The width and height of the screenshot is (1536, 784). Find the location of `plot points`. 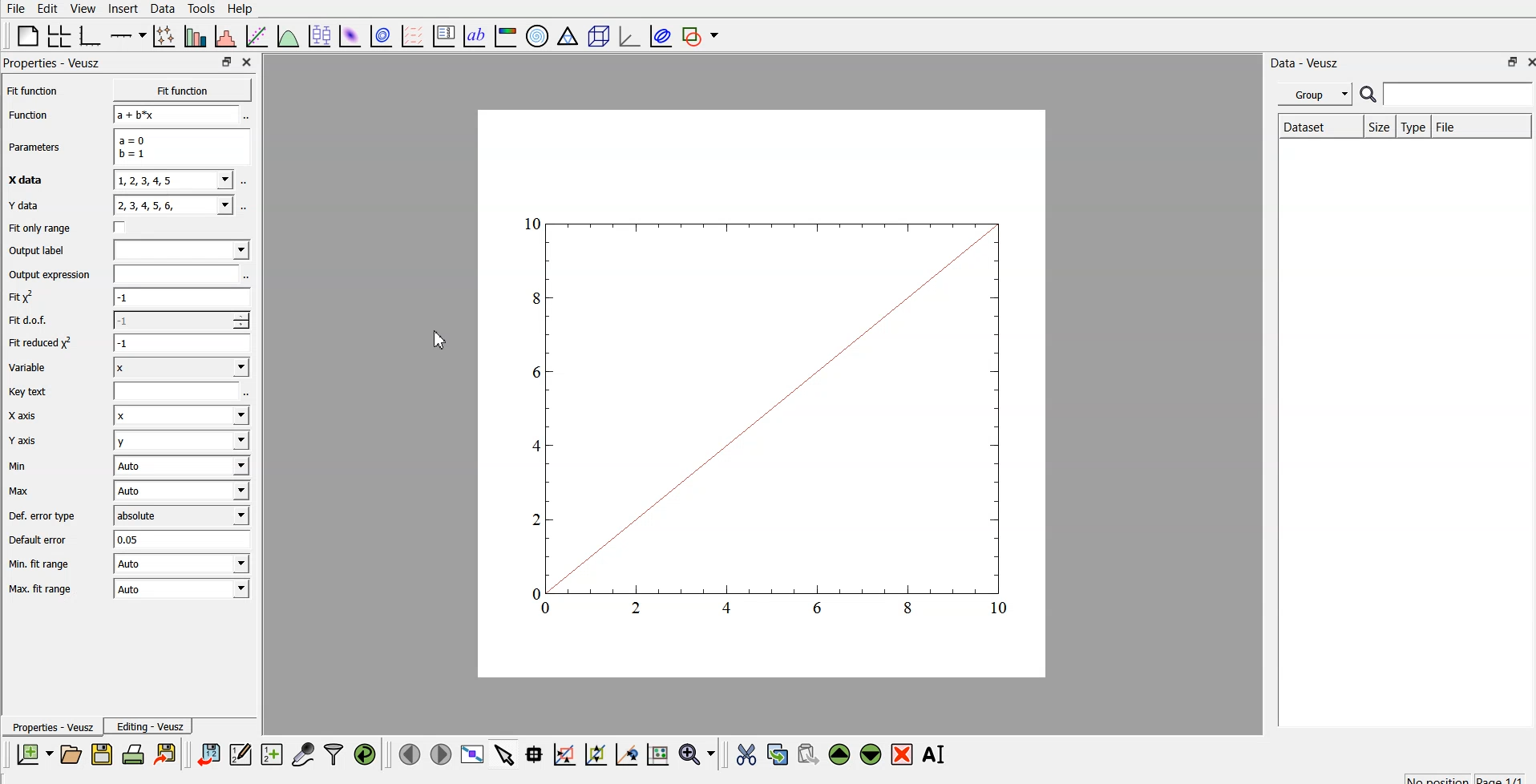

plot points is located at coordinates (164, 36).